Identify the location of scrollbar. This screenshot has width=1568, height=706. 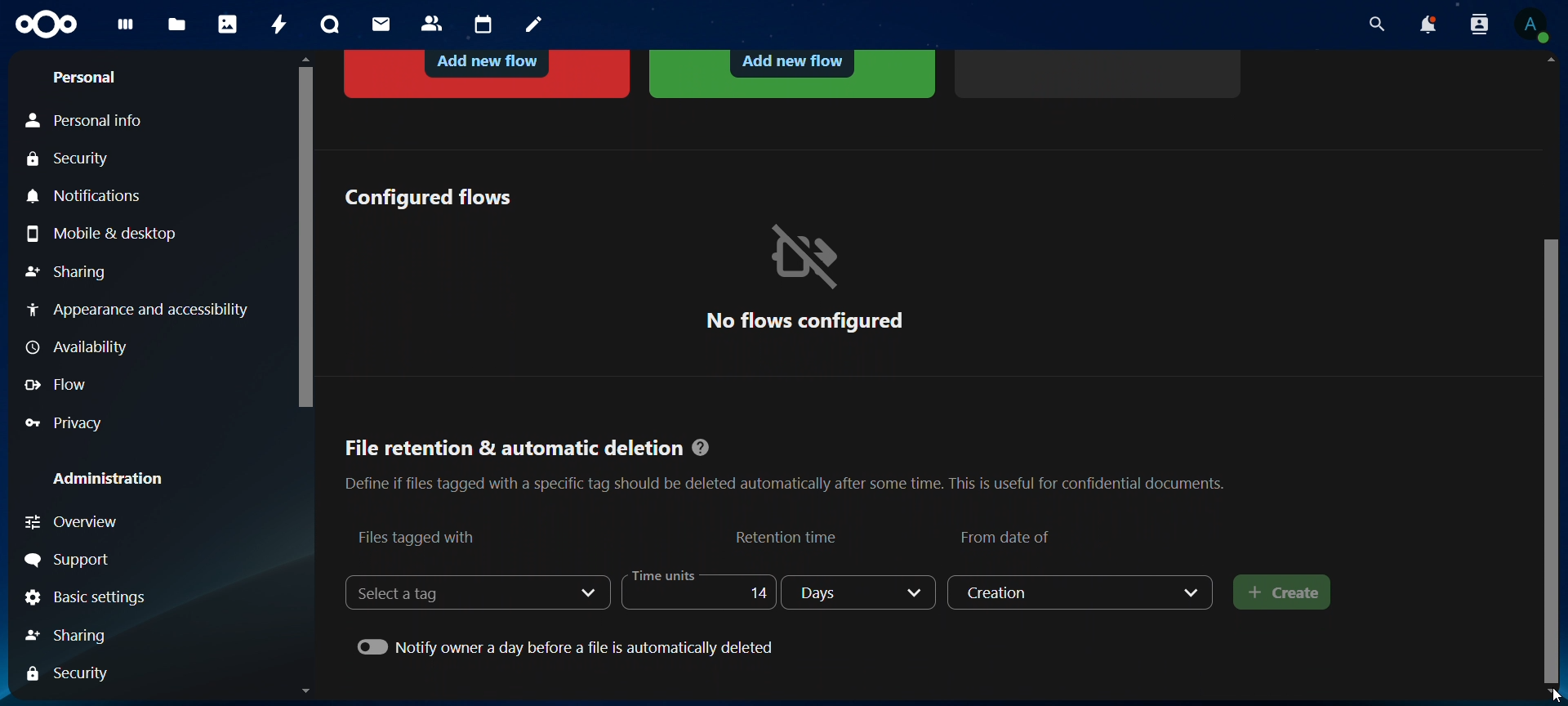
(302, 233).